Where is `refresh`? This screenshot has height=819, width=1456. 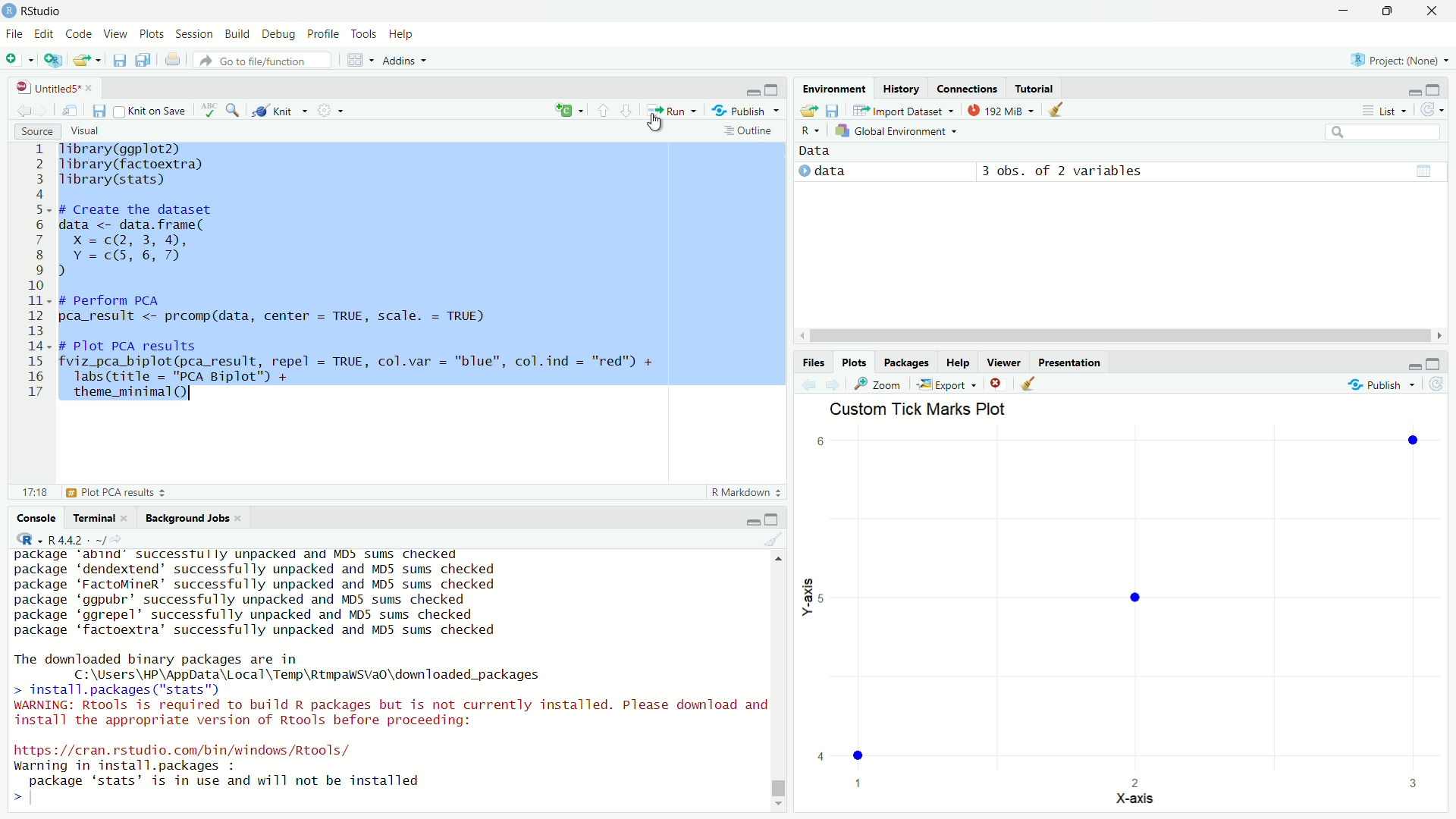 refresh is located at coordinates (1430, 110).